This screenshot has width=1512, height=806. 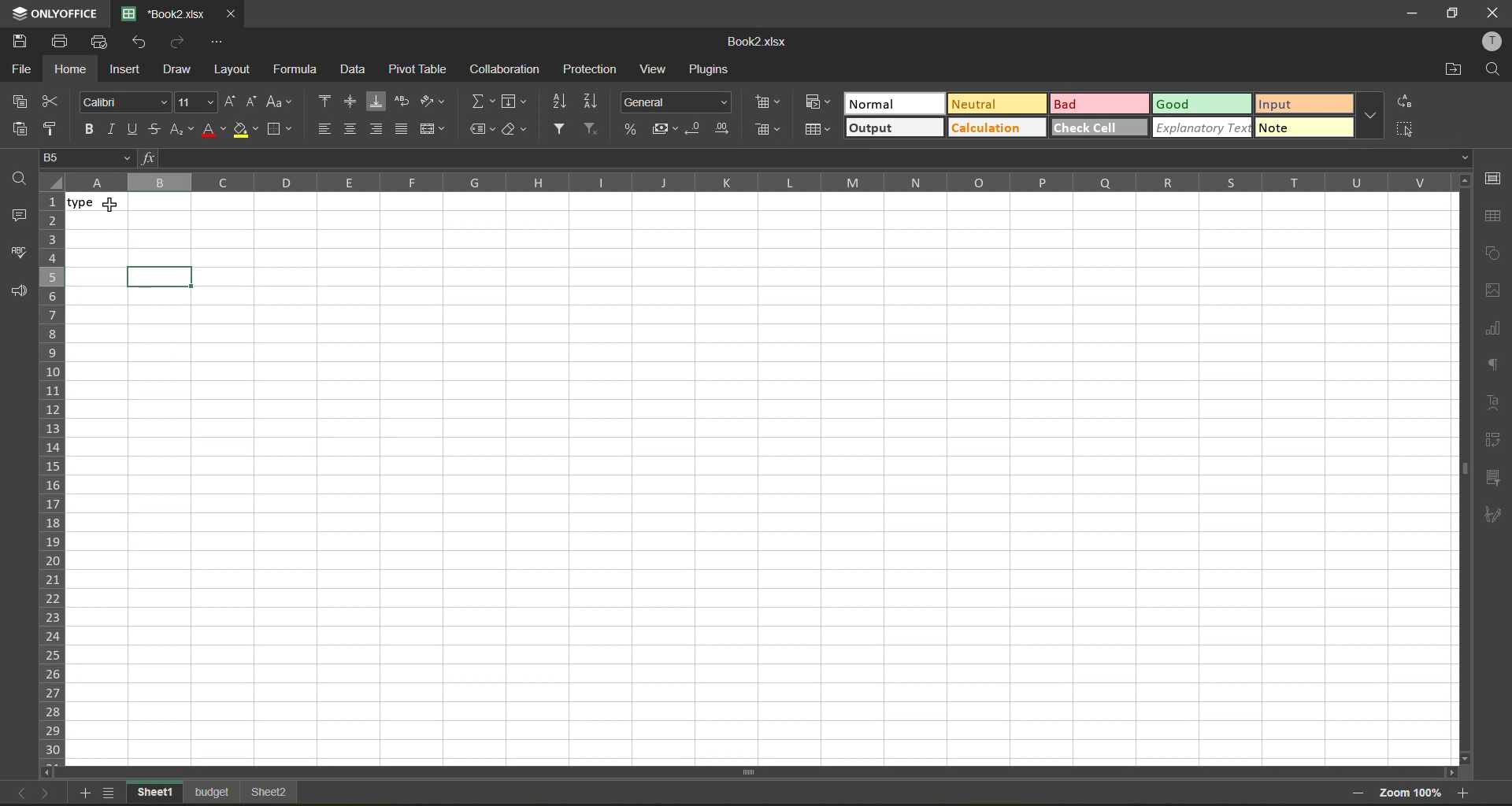 I want to click on accounting, so click(x=667, y=128).